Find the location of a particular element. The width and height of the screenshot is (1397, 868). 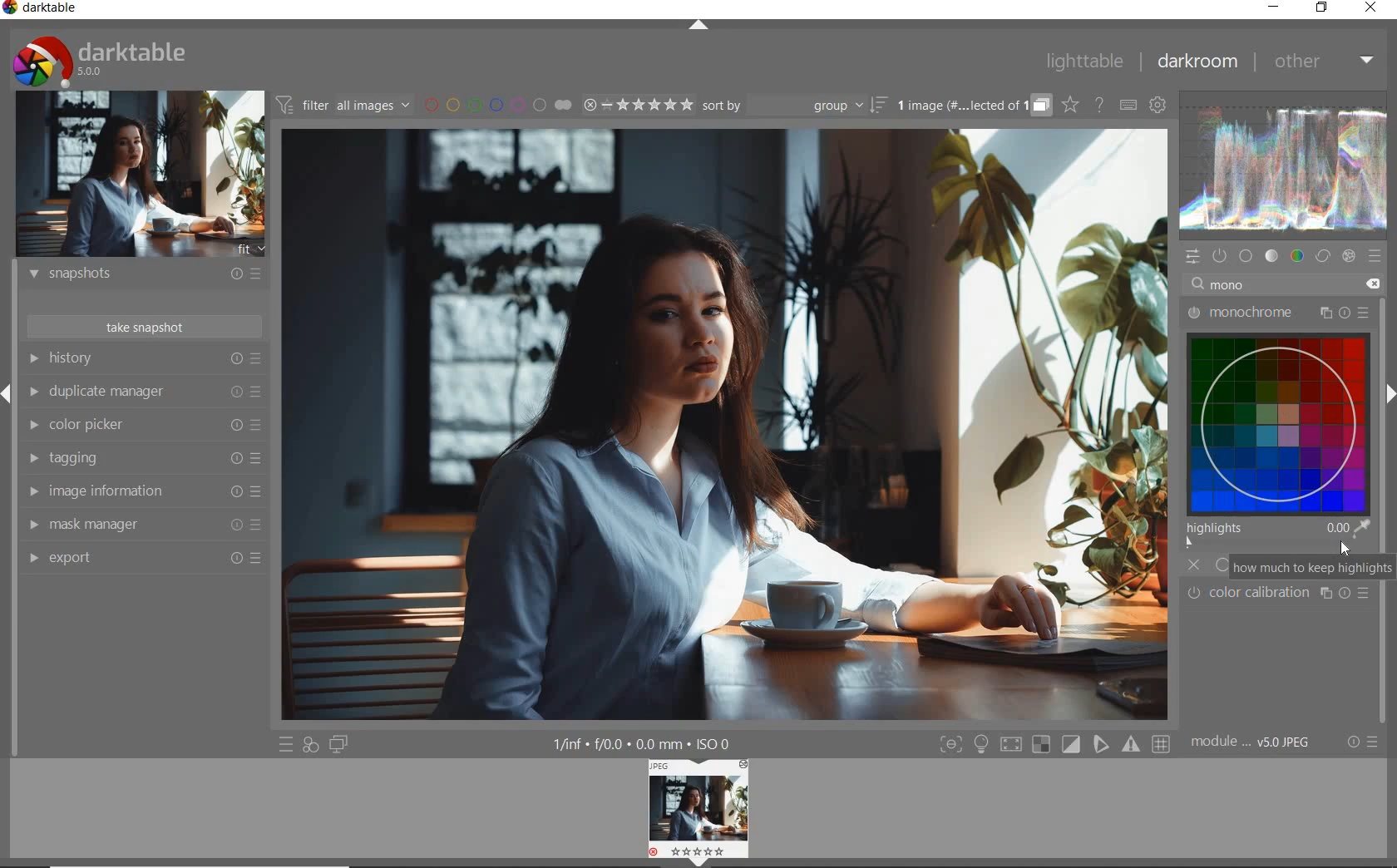

how much to keep highlights is located at coordinates (1305, 566).